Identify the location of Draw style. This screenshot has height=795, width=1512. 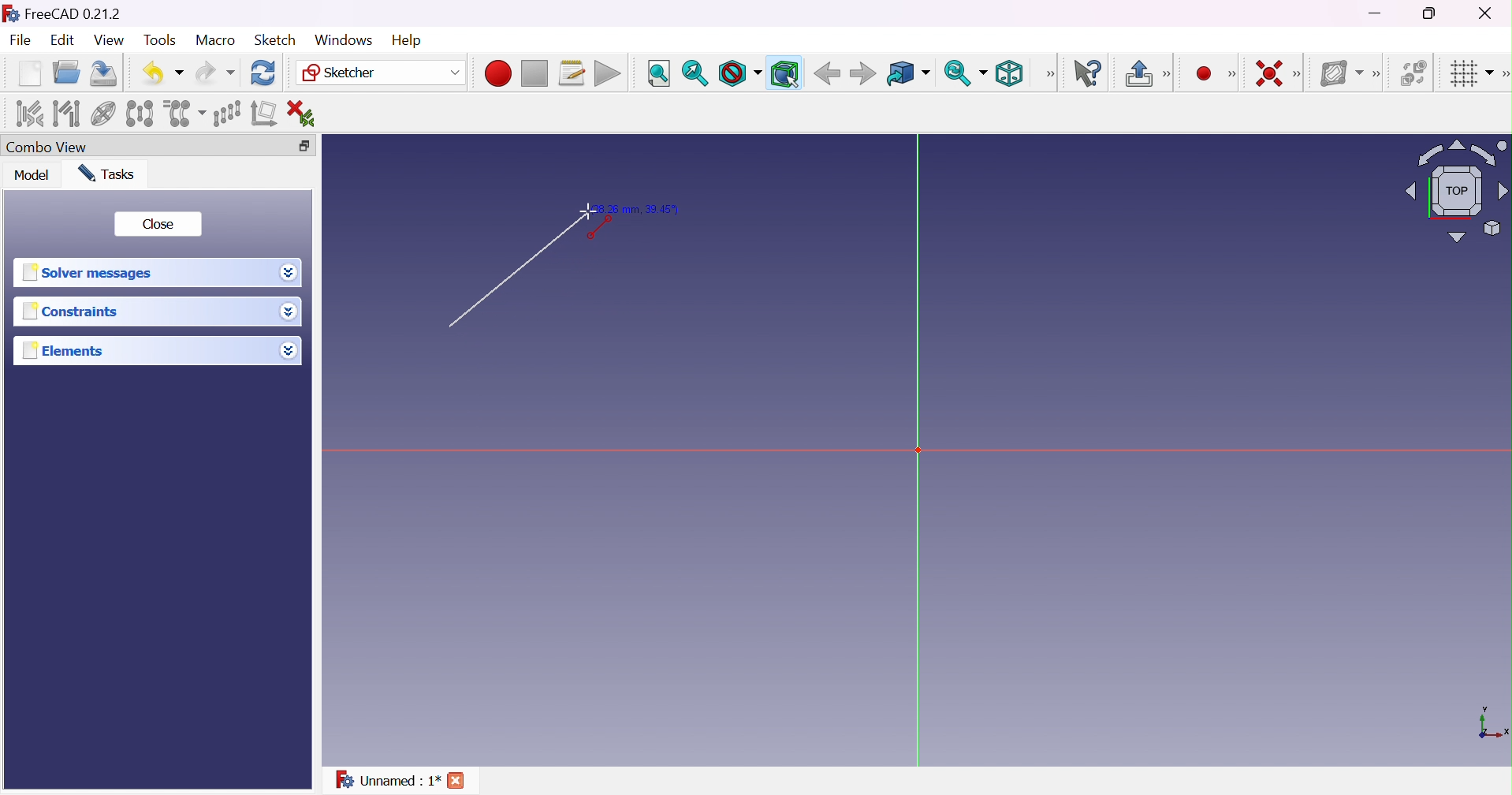
(740, 73).